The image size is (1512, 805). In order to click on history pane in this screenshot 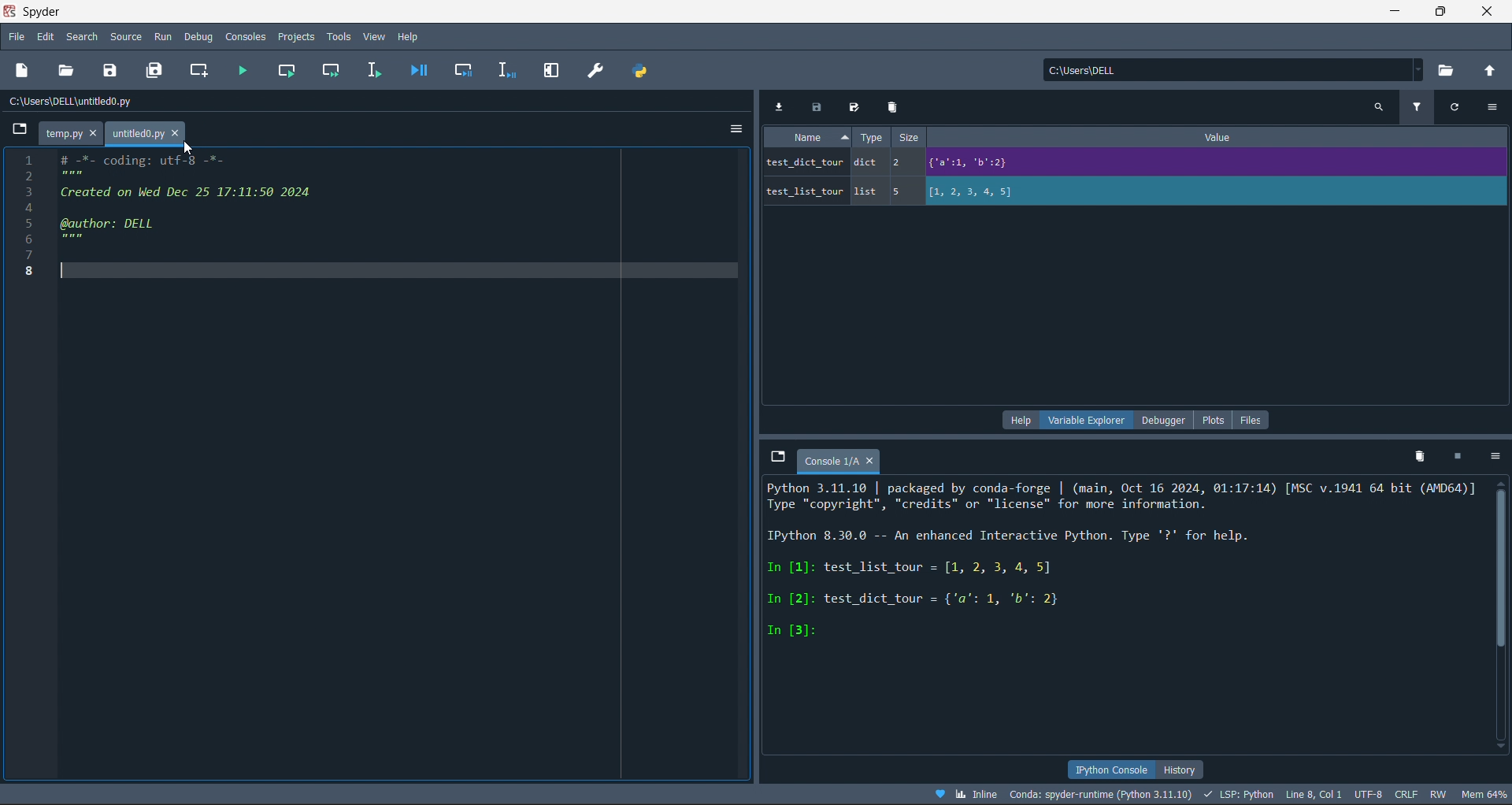, I will do `click(1187, 768)`.